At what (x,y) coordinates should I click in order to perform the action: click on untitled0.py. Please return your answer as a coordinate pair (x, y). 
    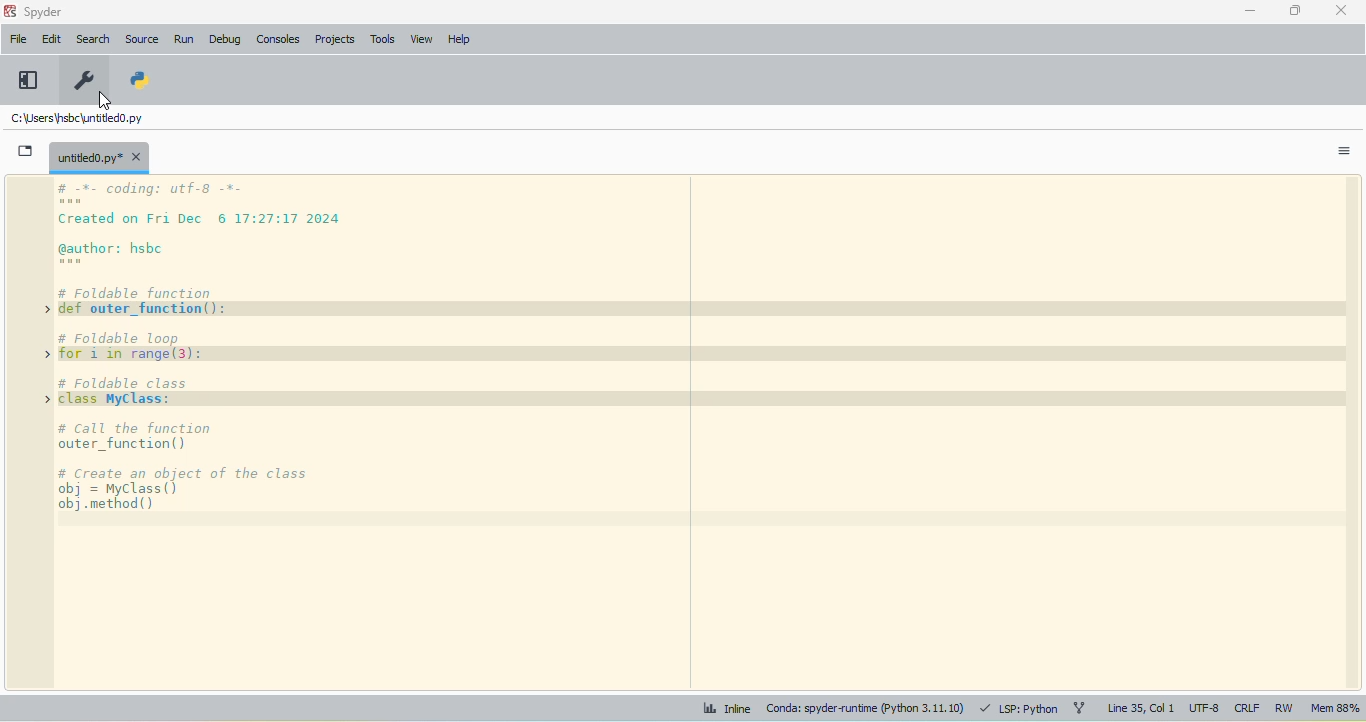
    Looking at the image, I should click on (74, 118).